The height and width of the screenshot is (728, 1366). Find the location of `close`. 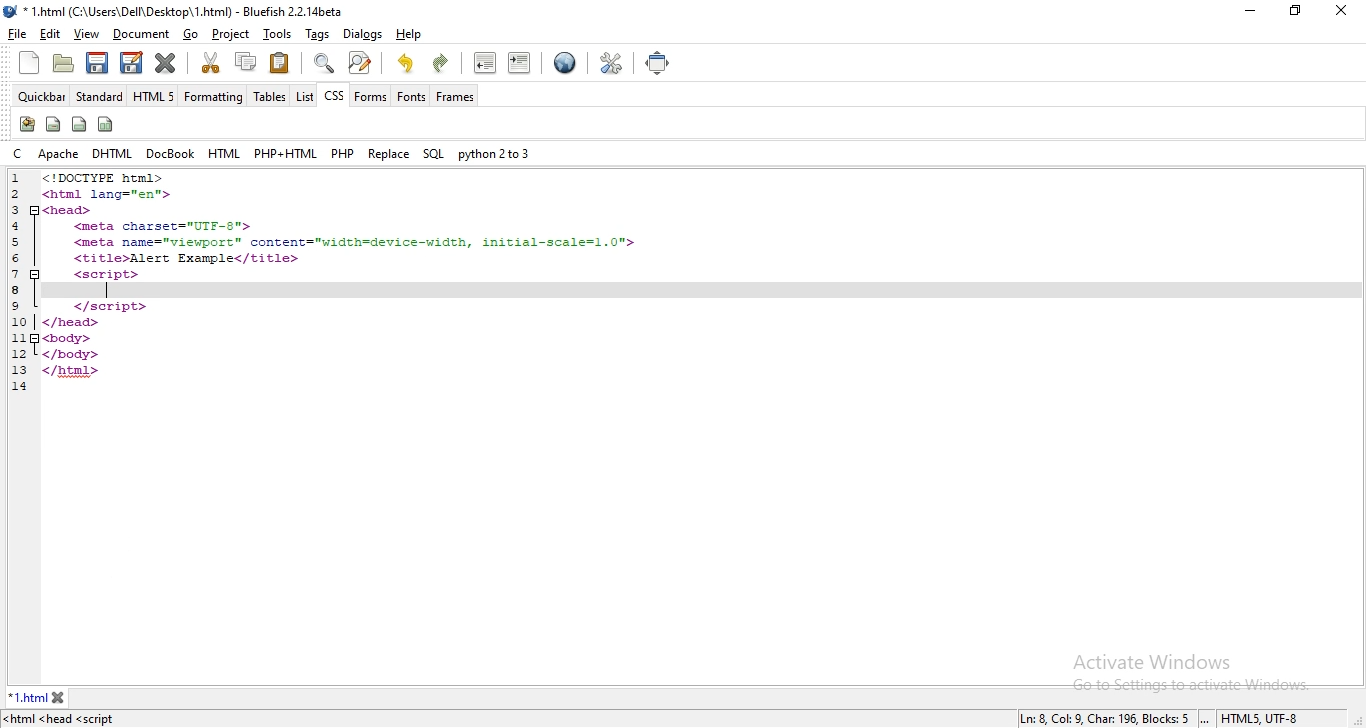

close is located at coordinates (164, 63).